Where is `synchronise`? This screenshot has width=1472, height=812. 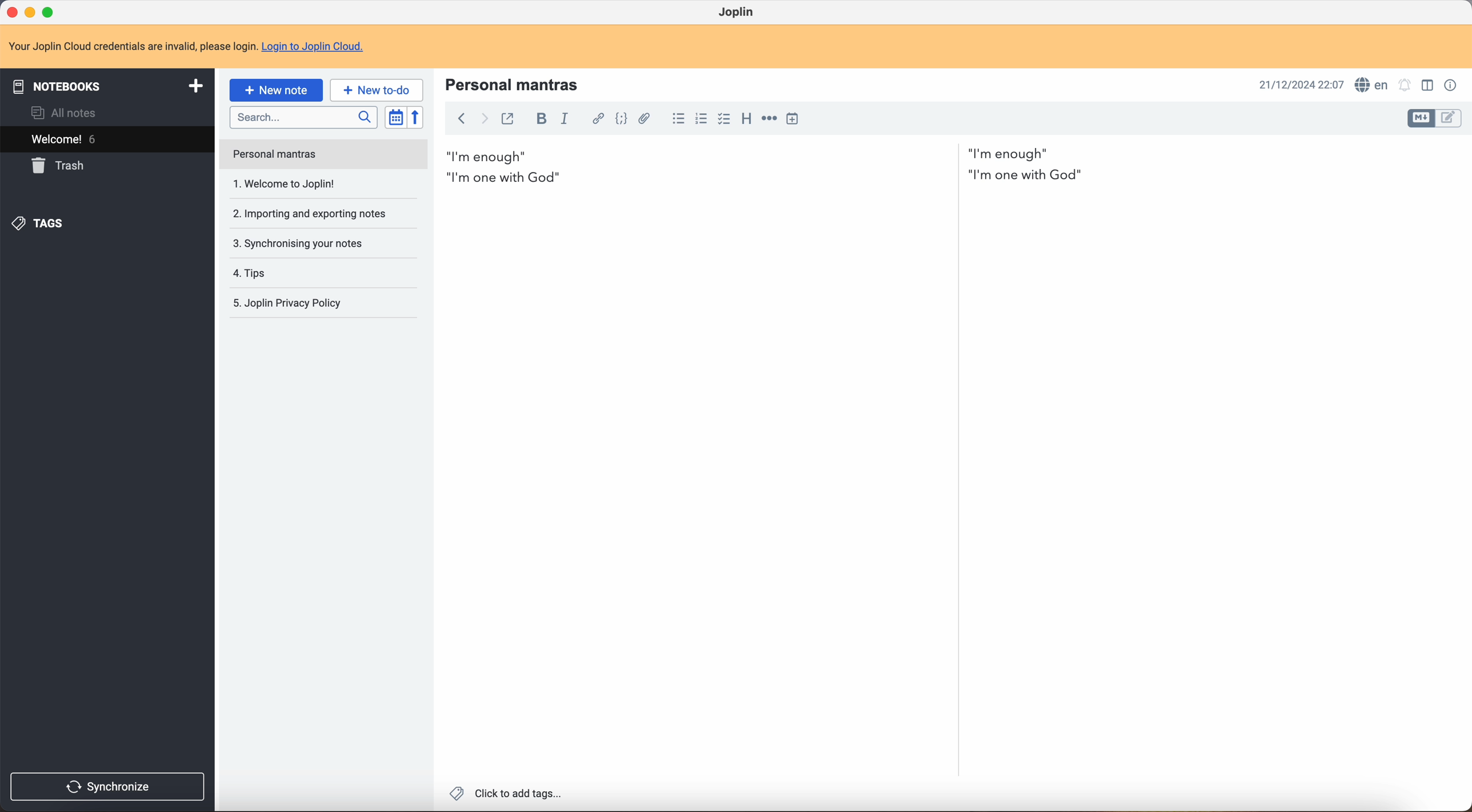 synchronise is located at coordinates (111, 786).